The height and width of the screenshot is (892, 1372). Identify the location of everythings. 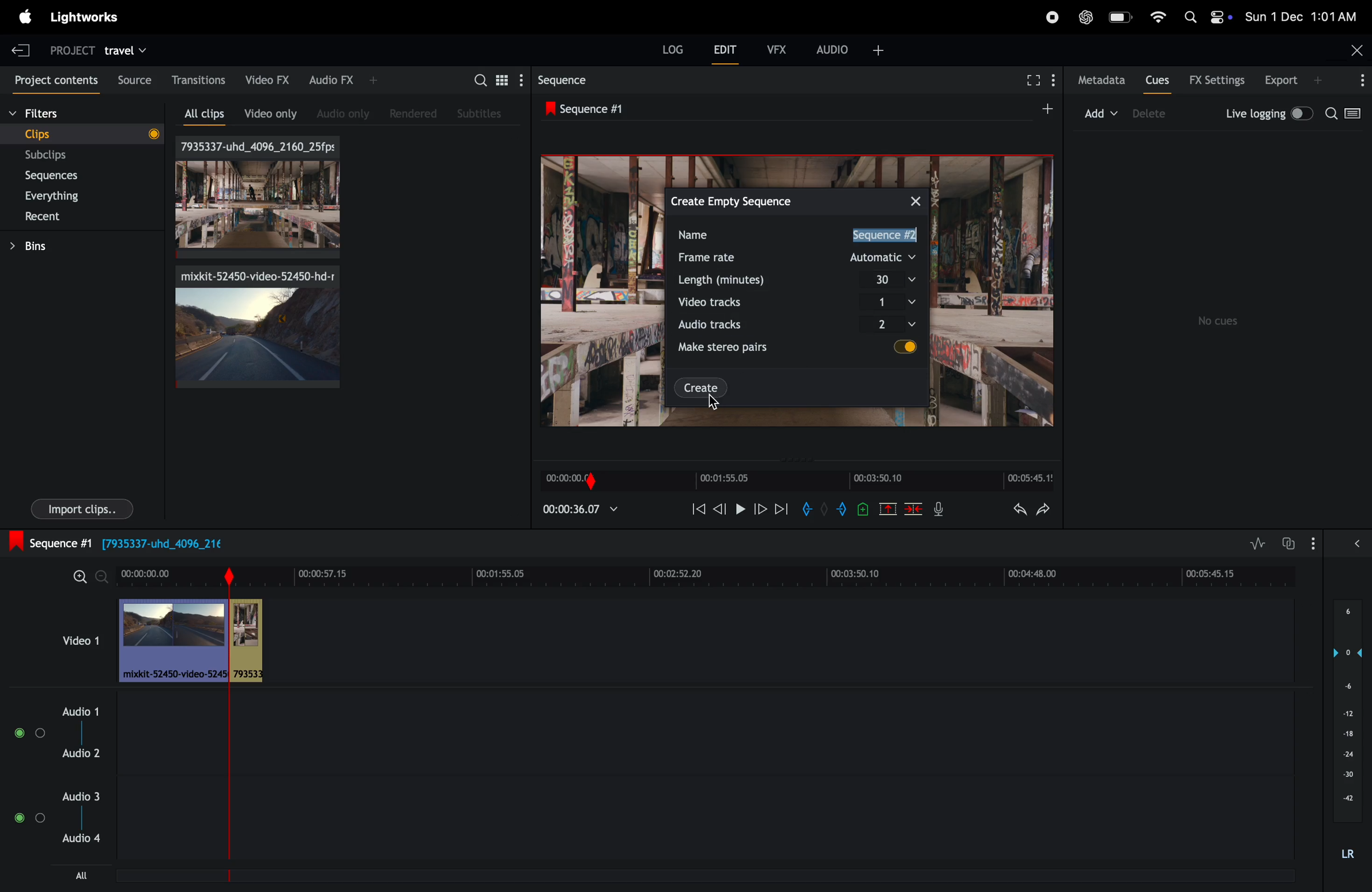
(72, 196).